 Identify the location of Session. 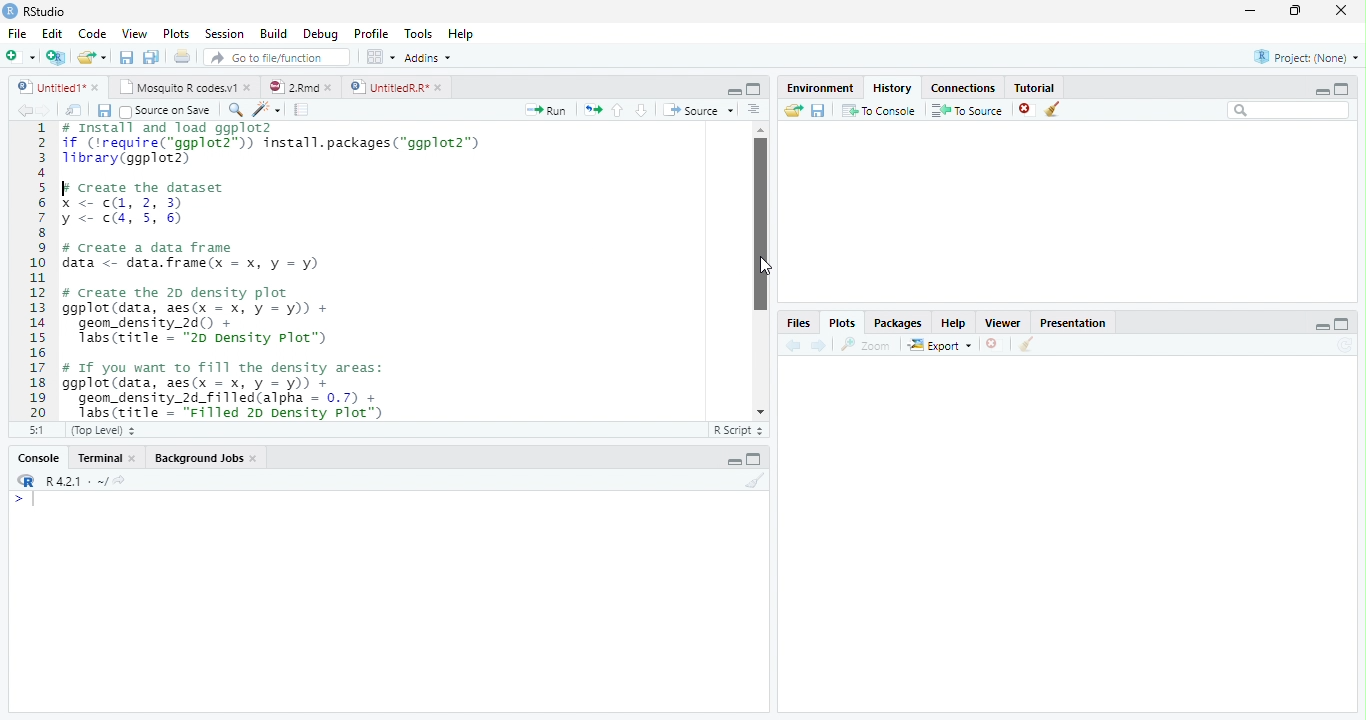
(225, 34).